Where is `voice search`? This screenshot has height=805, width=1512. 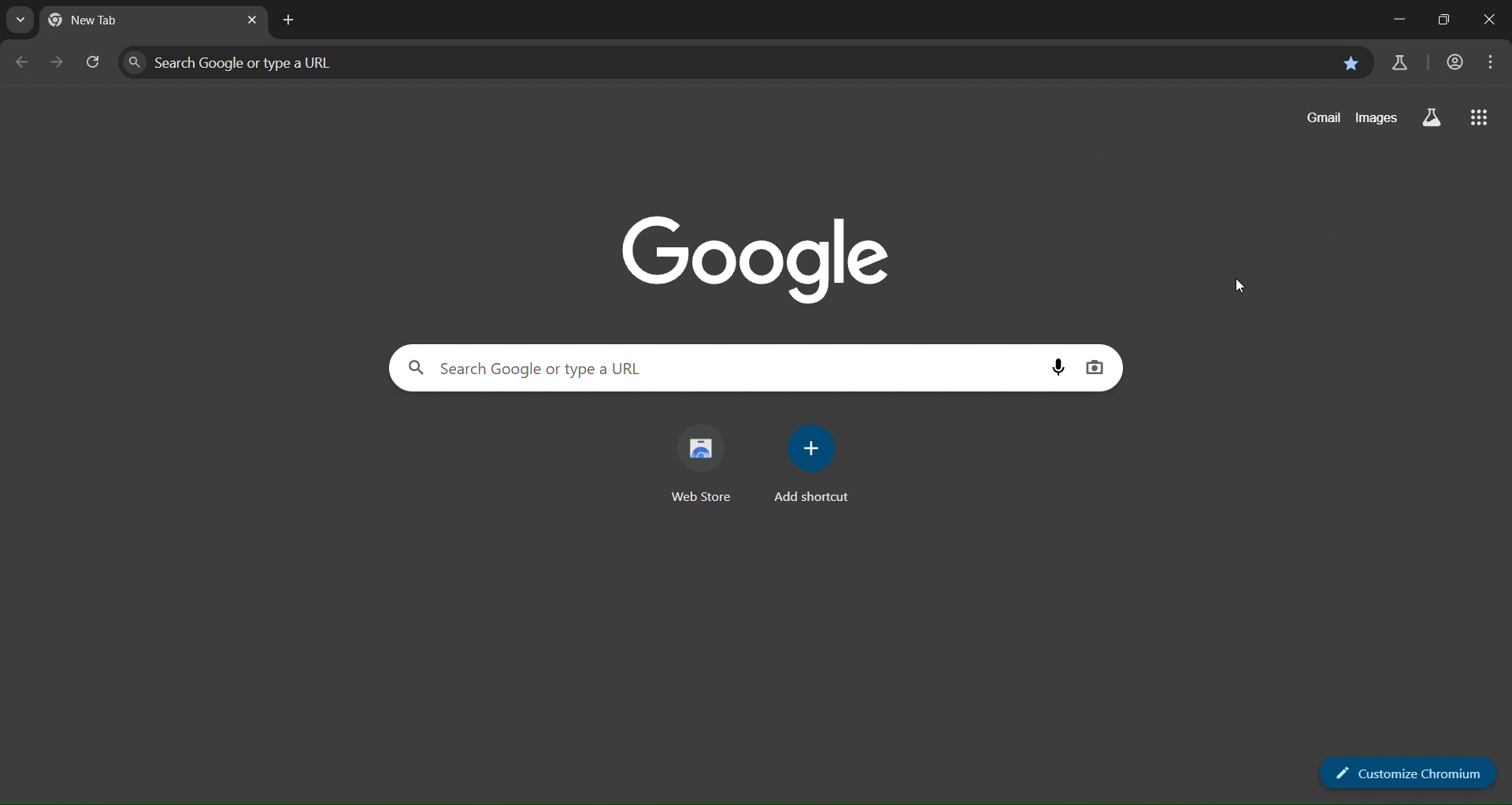
voice search is located at coordinates (1059, 367).